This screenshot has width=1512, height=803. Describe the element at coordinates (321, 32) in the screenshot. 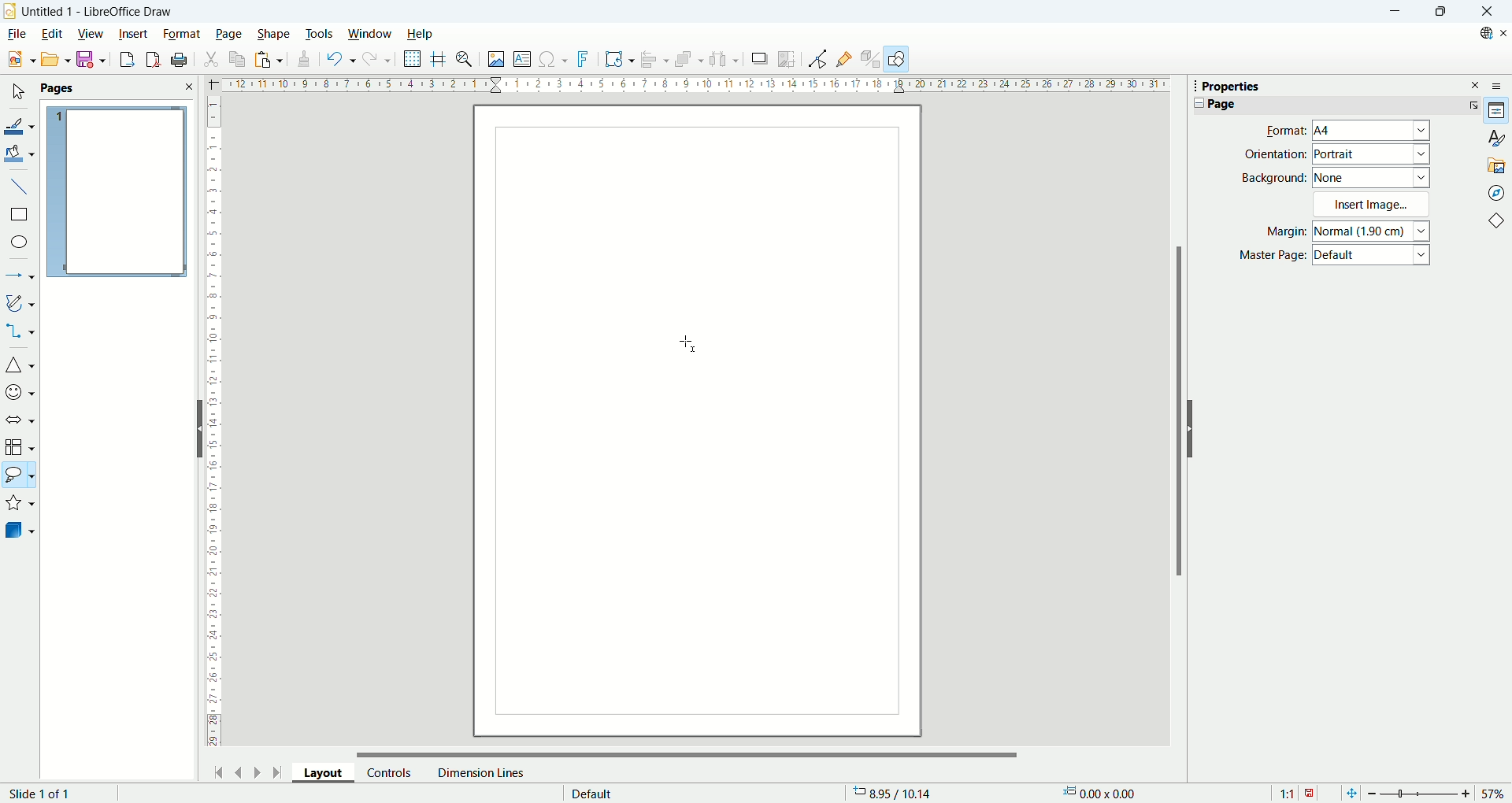

I see `tools` at that location.